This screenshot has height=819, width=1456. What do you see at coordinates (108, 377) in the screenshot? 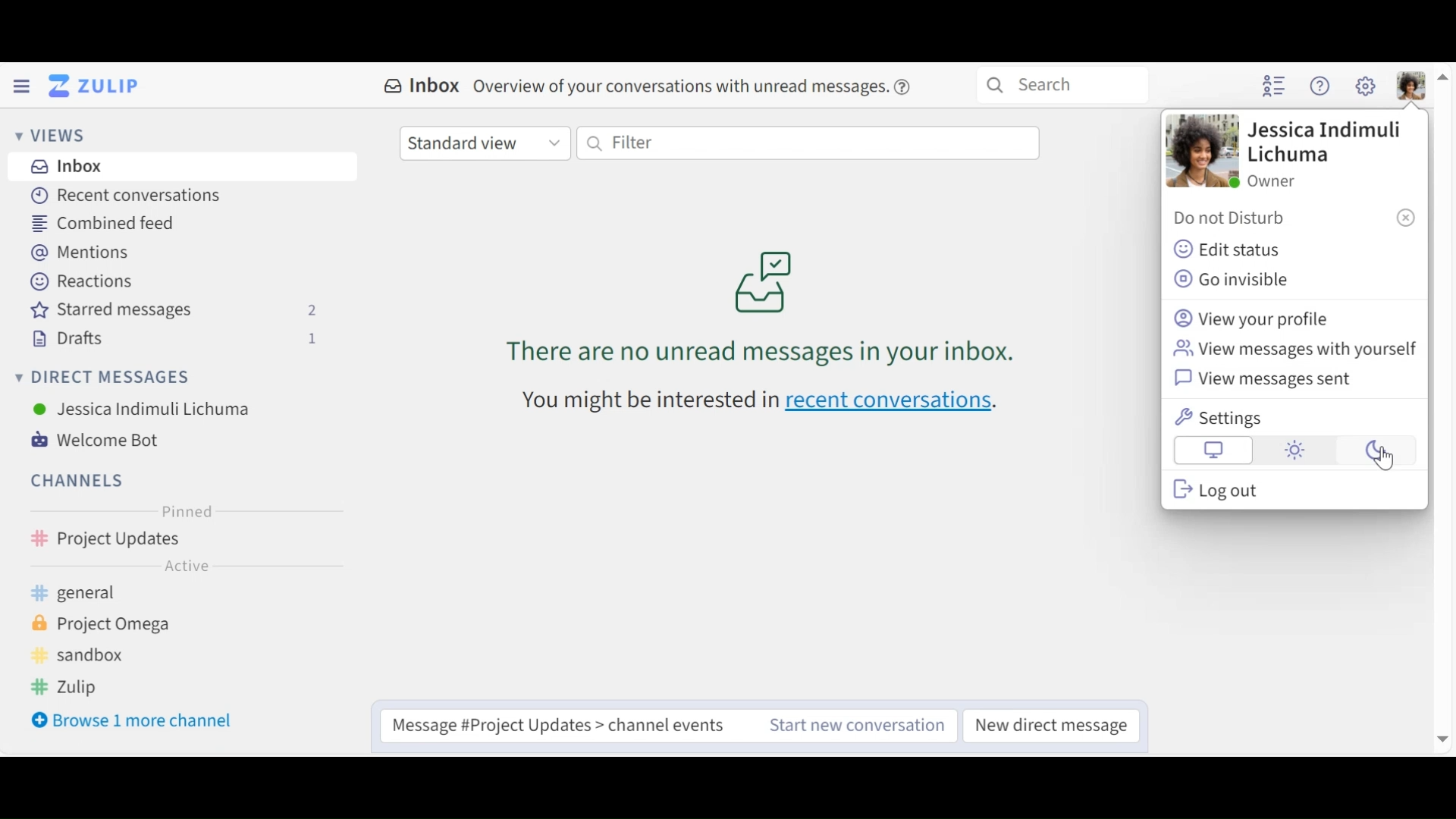
I see `Direct Messages` at bounding box center [108, 377].